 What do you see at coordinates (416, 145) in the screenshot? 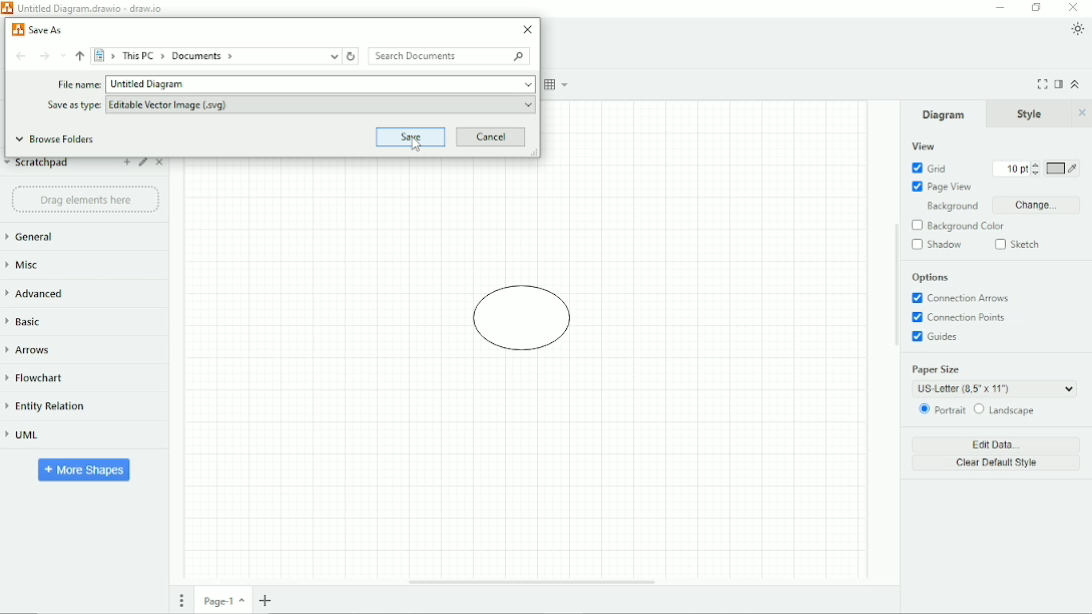
I see `Cursor` at bounding box center [416, 145].